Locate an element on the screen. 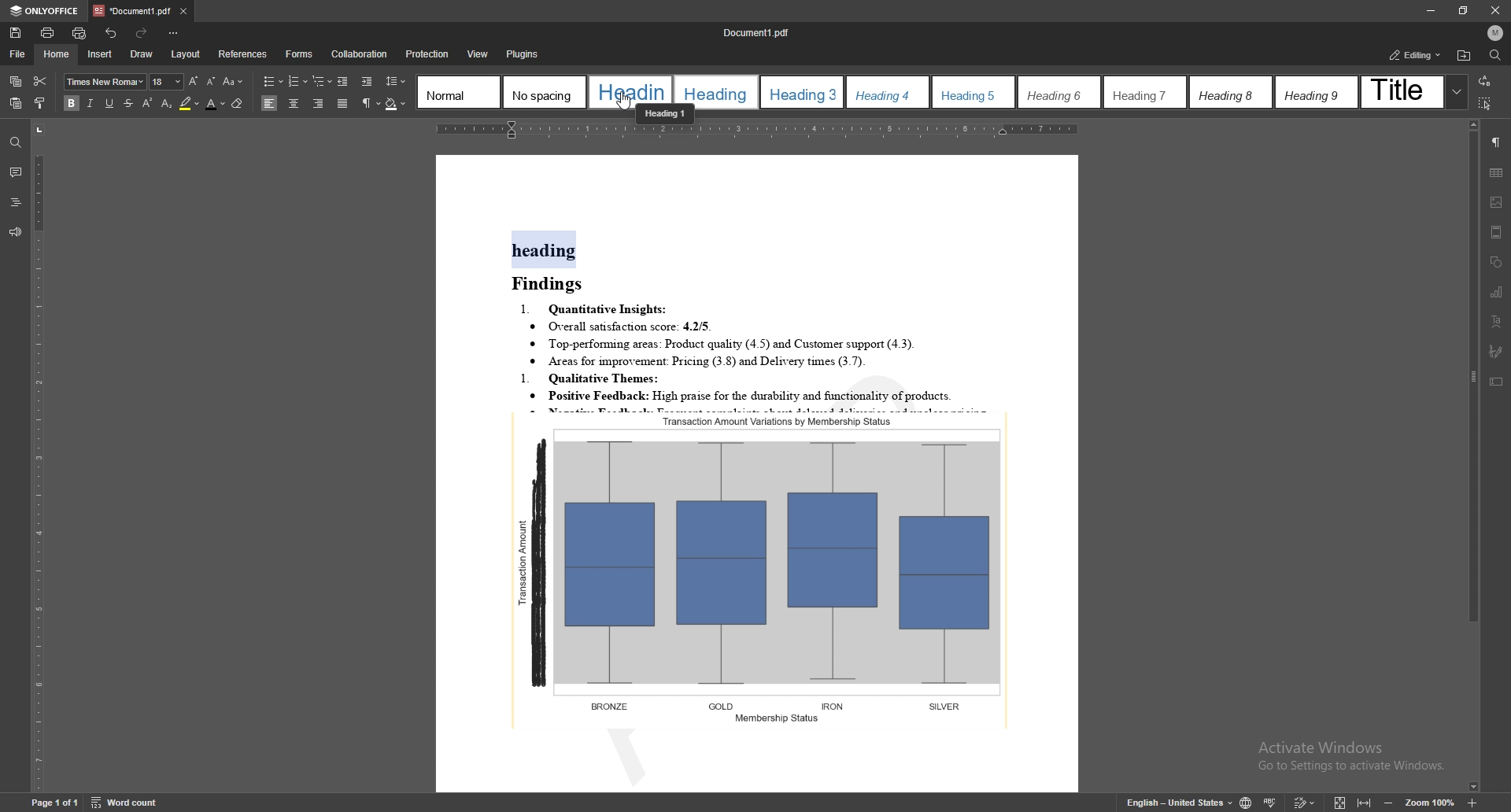  draw is located at coordinates (141, 53).